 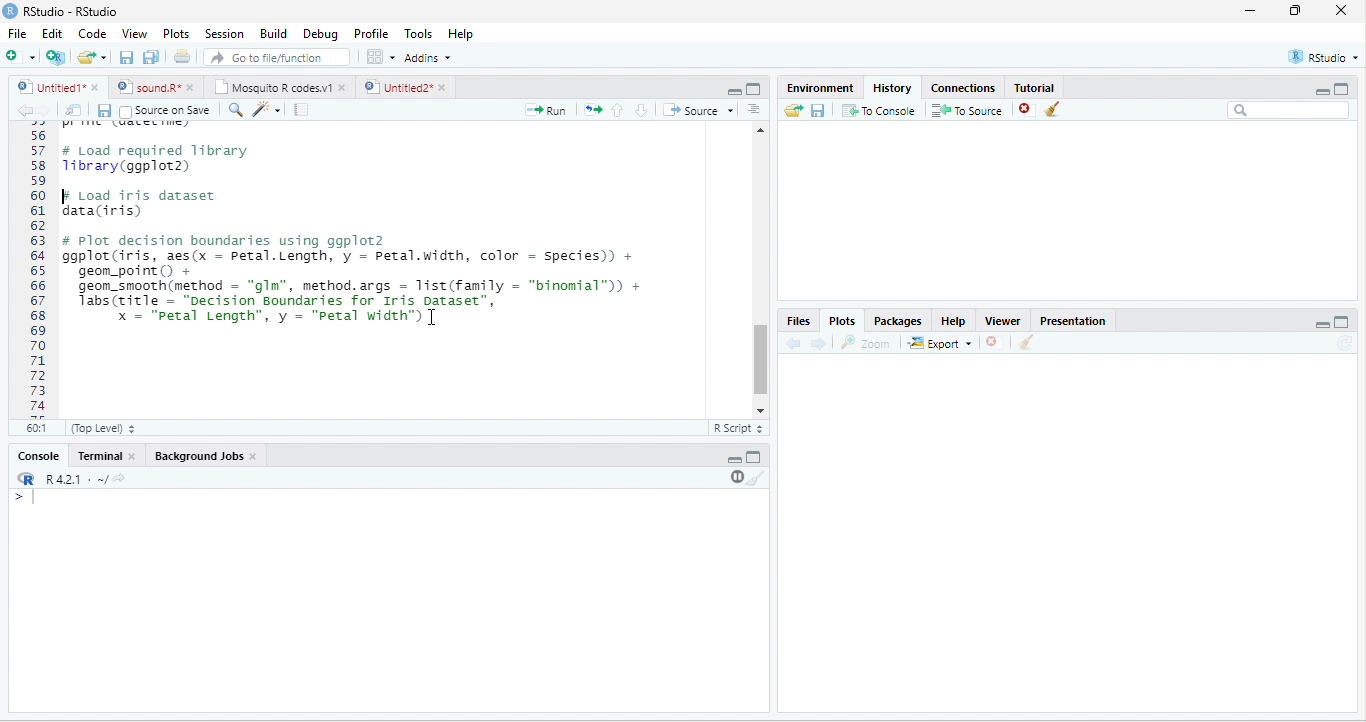 I want to click on Edit, so click(x=52, y=32).